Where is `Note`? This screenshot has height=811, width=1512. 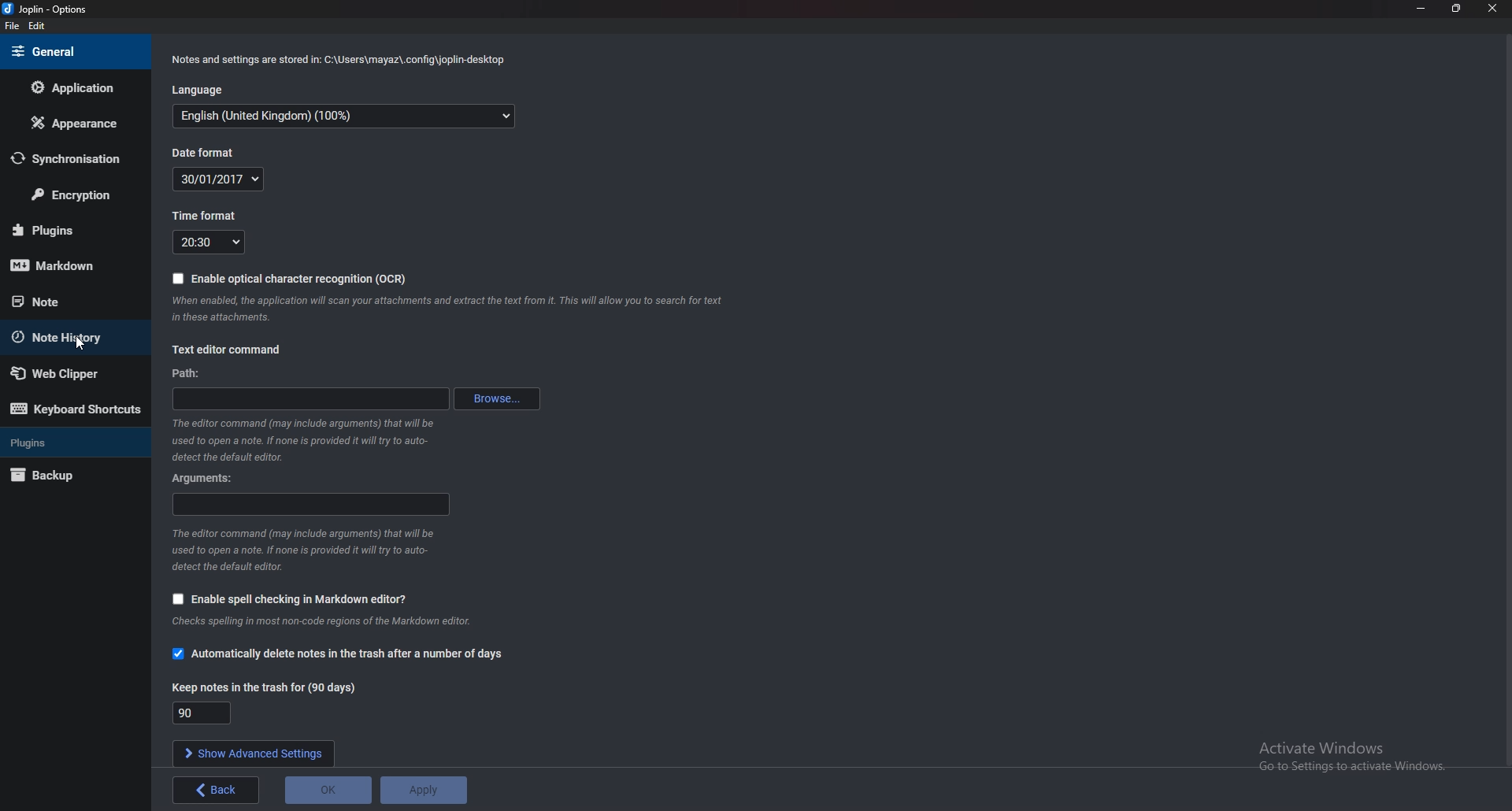 Note is located at coordinates (63, 300).